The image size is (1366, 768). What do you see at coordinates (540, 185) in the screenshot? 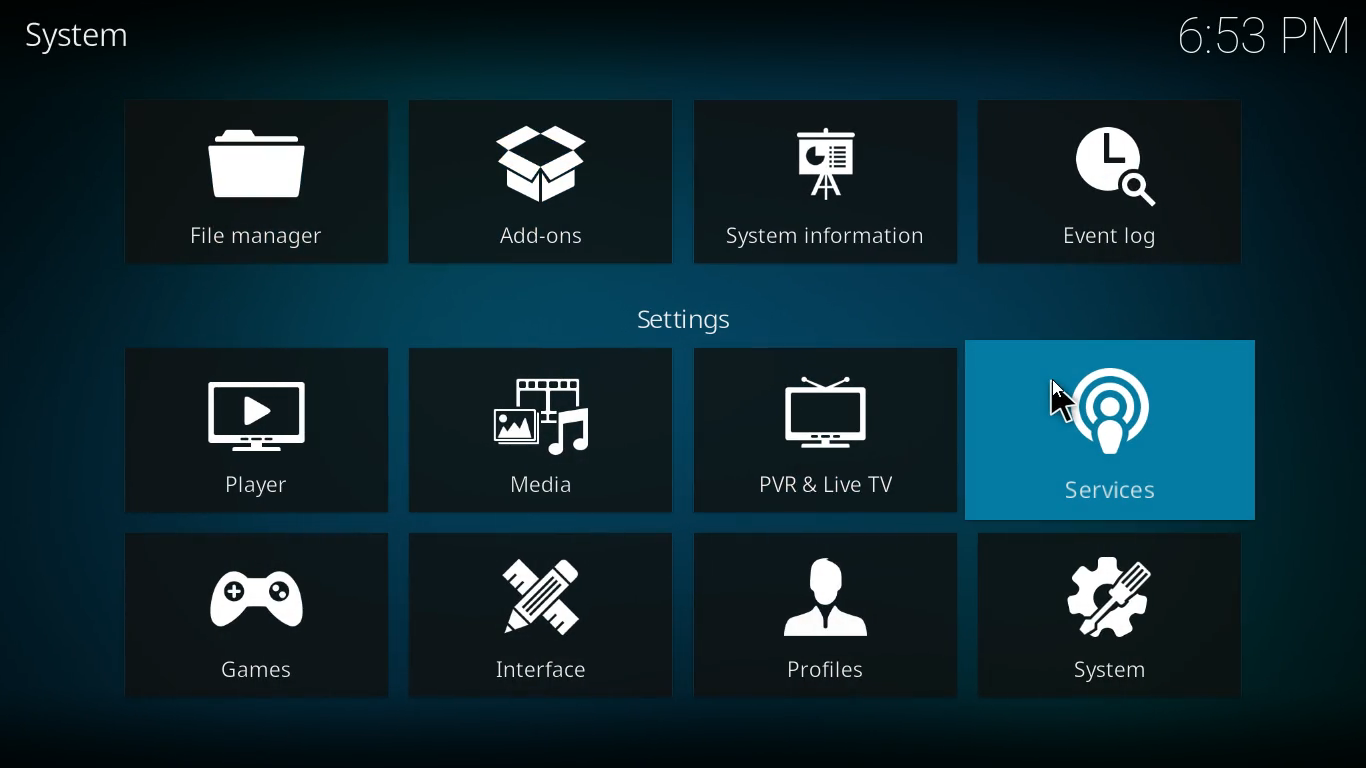
I see `add-ons` at bounding box center [540, 185].